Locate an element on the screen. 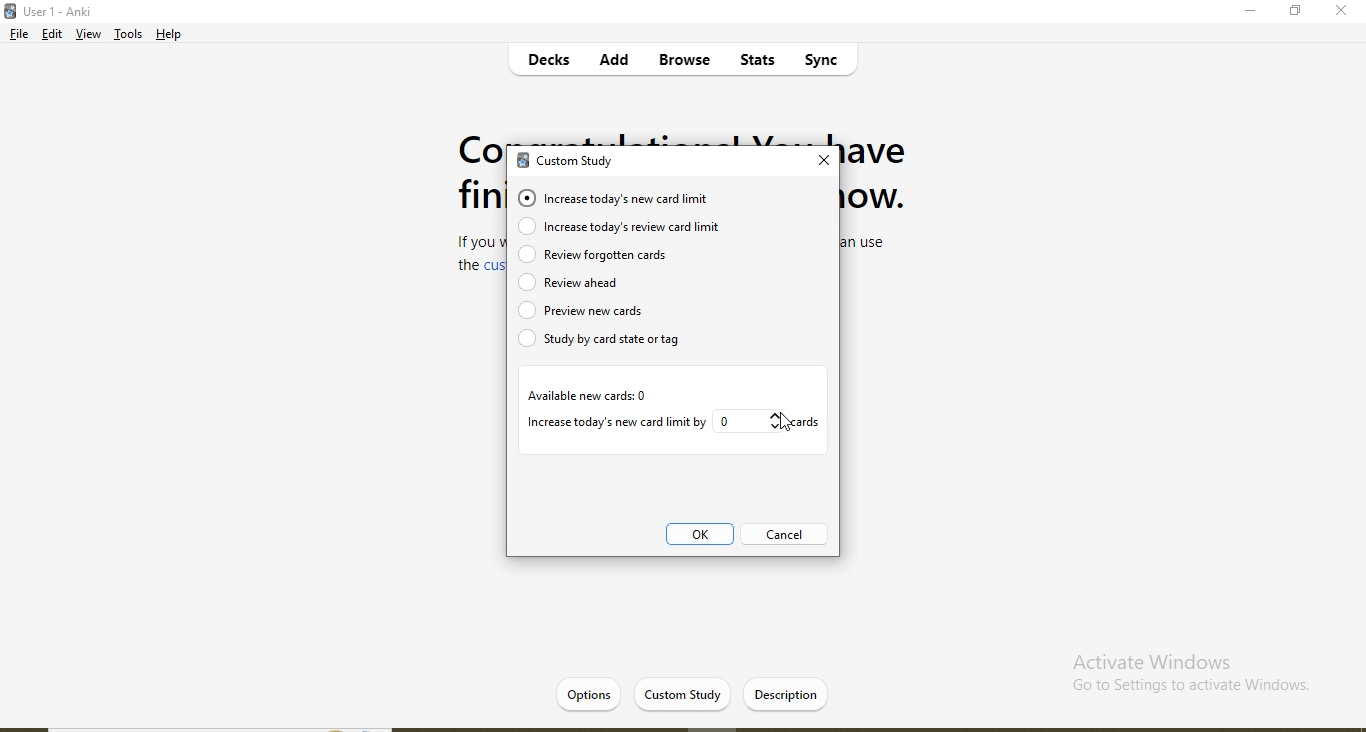  sync is located at coordinates (829, 63).